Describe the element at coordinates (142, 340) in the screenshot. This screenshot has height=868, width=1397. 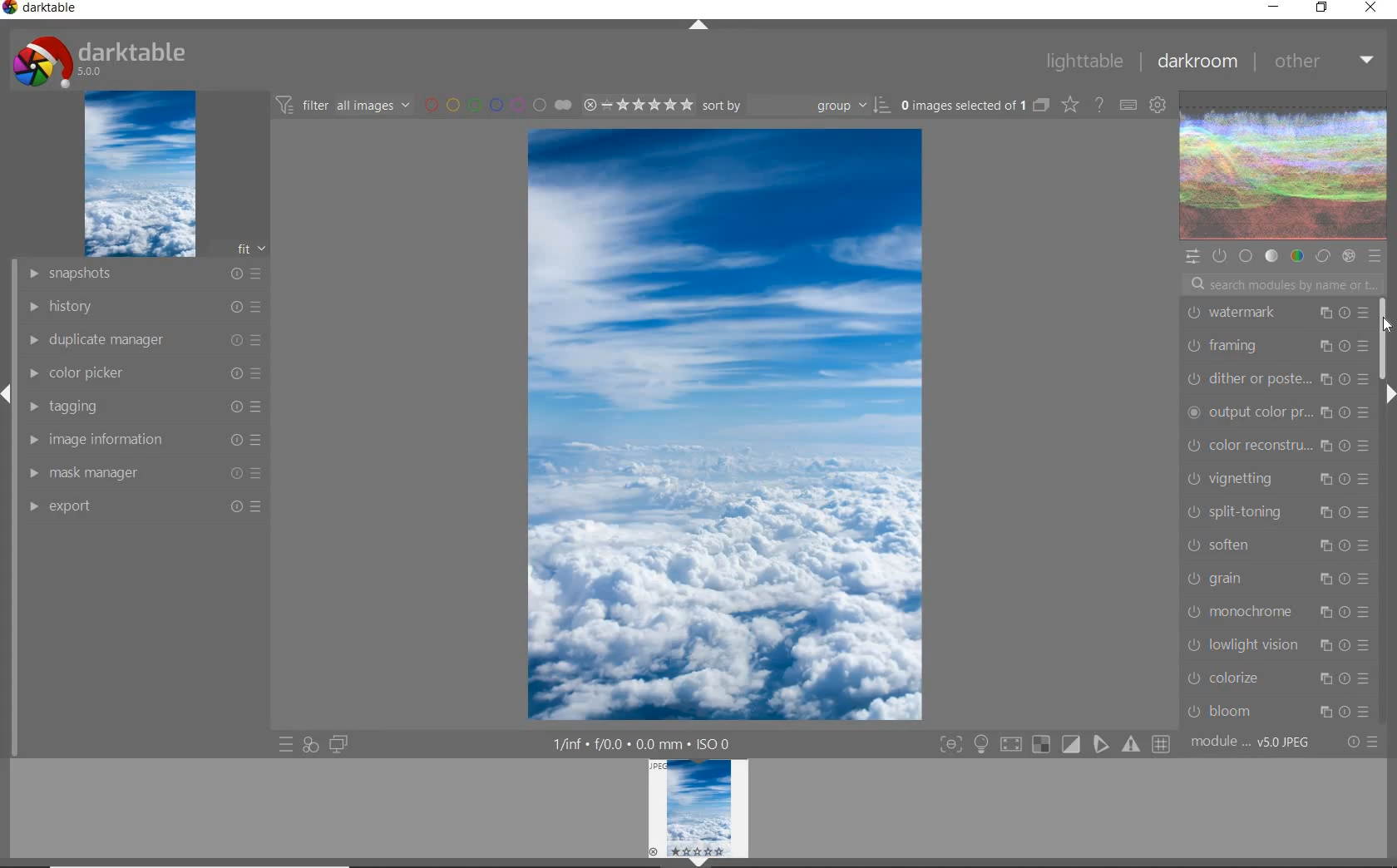
I see `DUPLICATE MANAGER` at that location.